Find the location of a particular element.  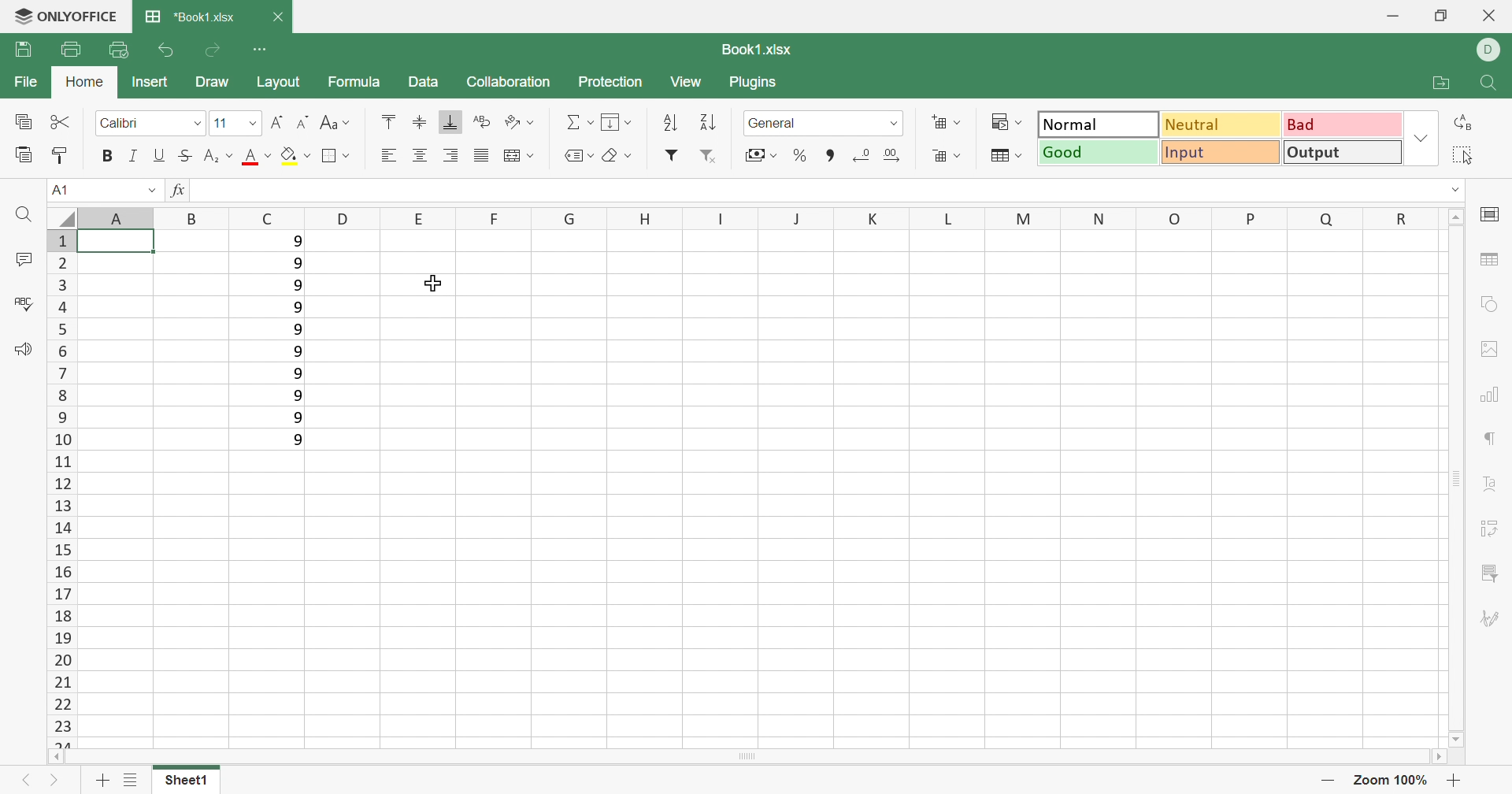

Neutral is located at coordinates (1221, 126).